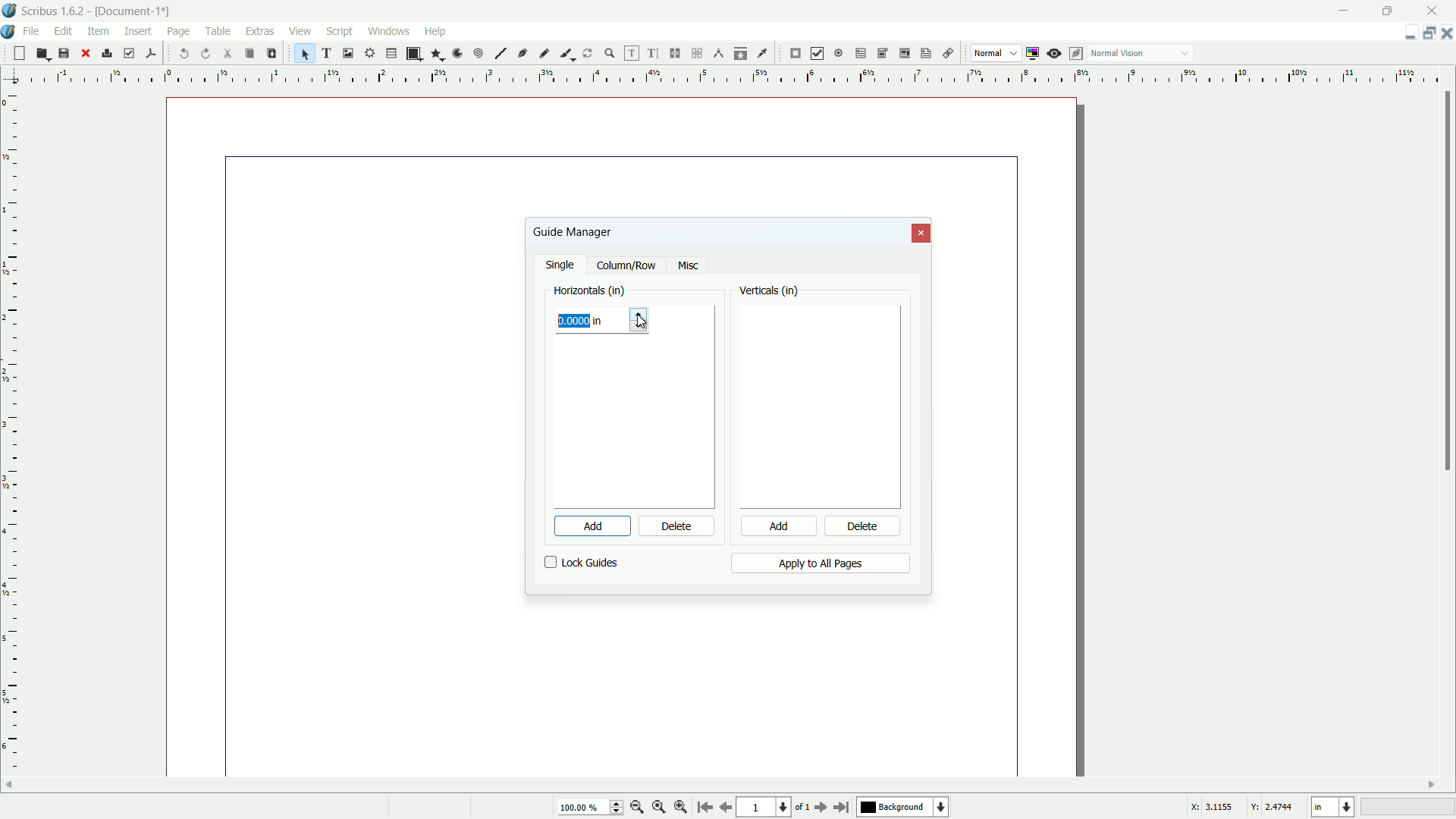  What do you see at coordinates (654, 54) in the screenshot?
I see `edit text with story editor` at bounding box center [654, 54].